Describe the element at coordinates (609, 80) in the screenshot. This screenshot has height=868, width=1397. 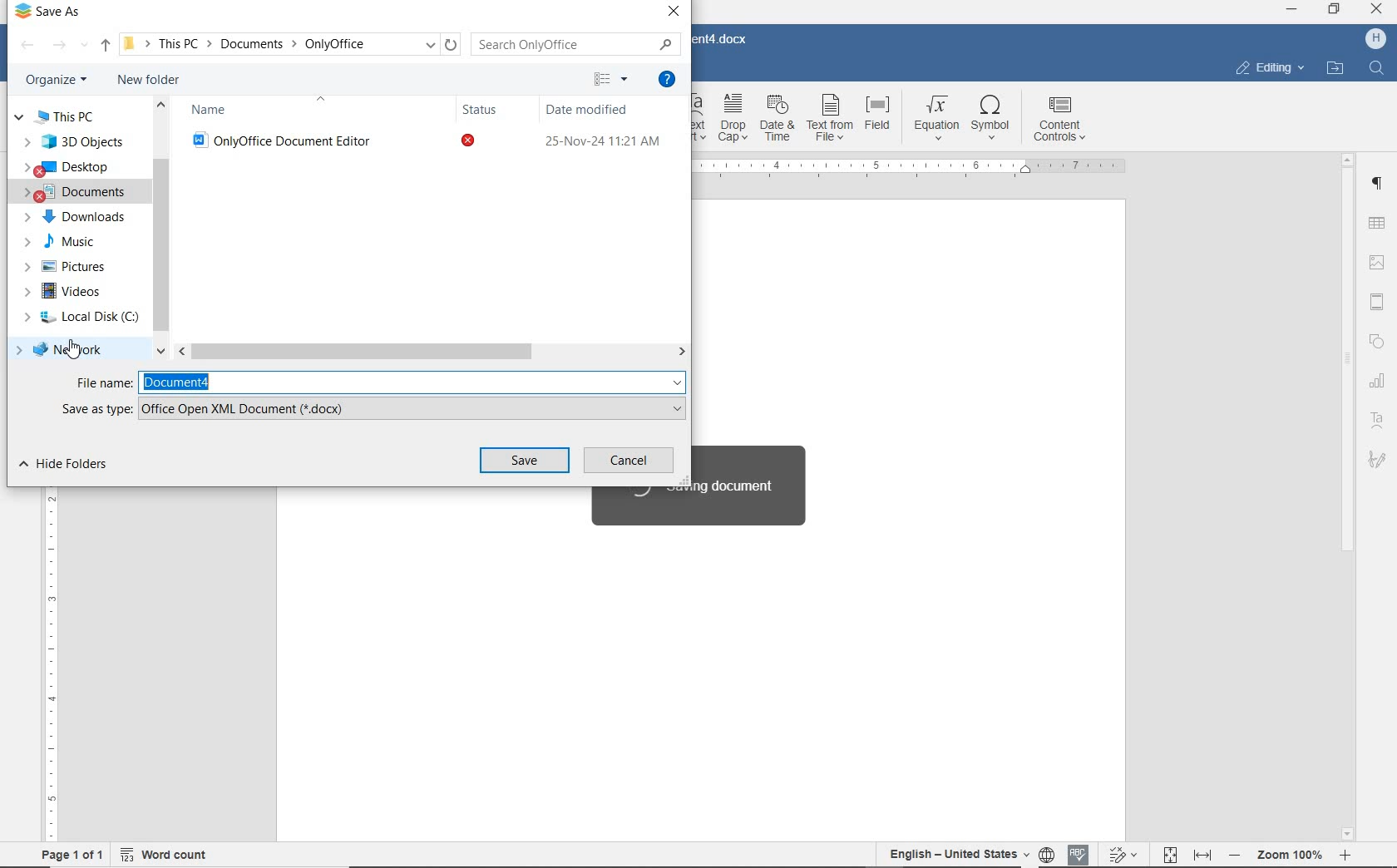
I see `change your view` at that location.